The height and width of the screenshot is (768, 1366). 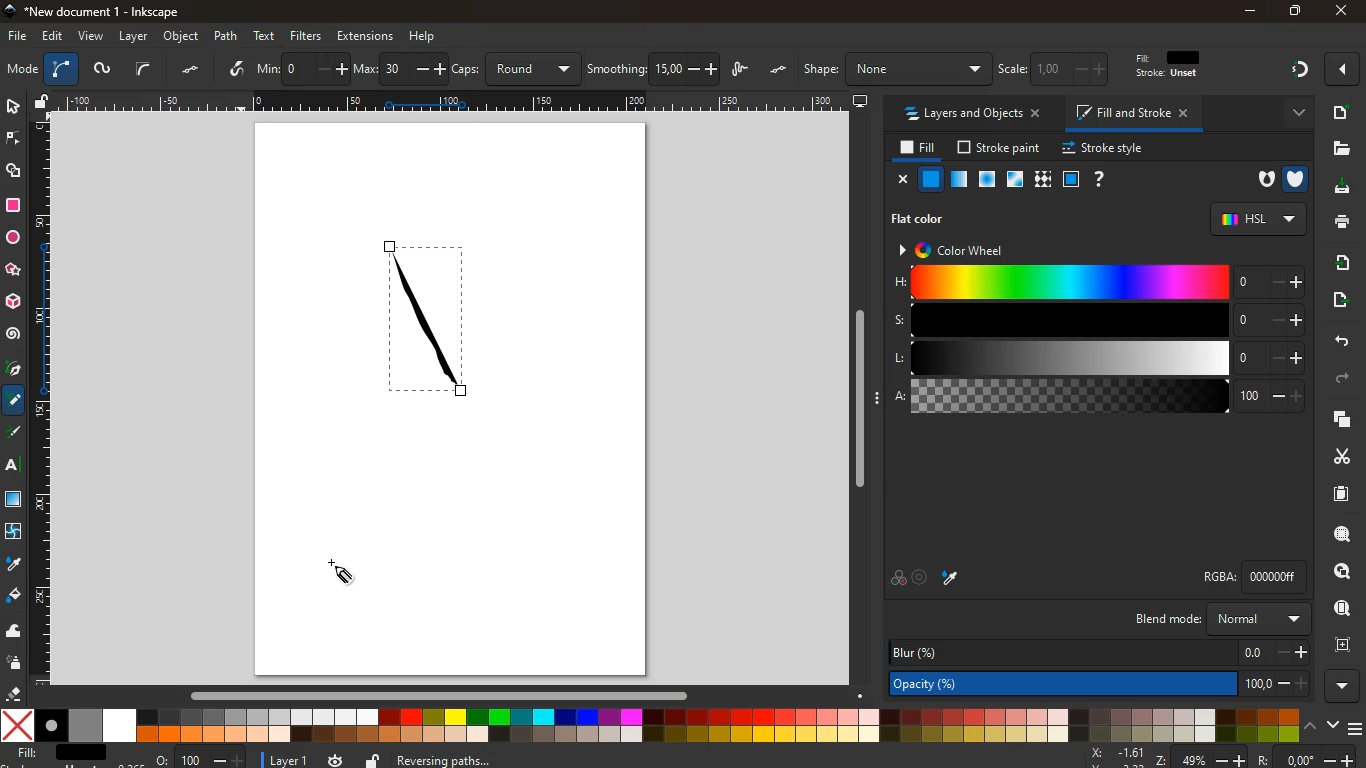 I want to click on print, so click(x=1338, y=221).